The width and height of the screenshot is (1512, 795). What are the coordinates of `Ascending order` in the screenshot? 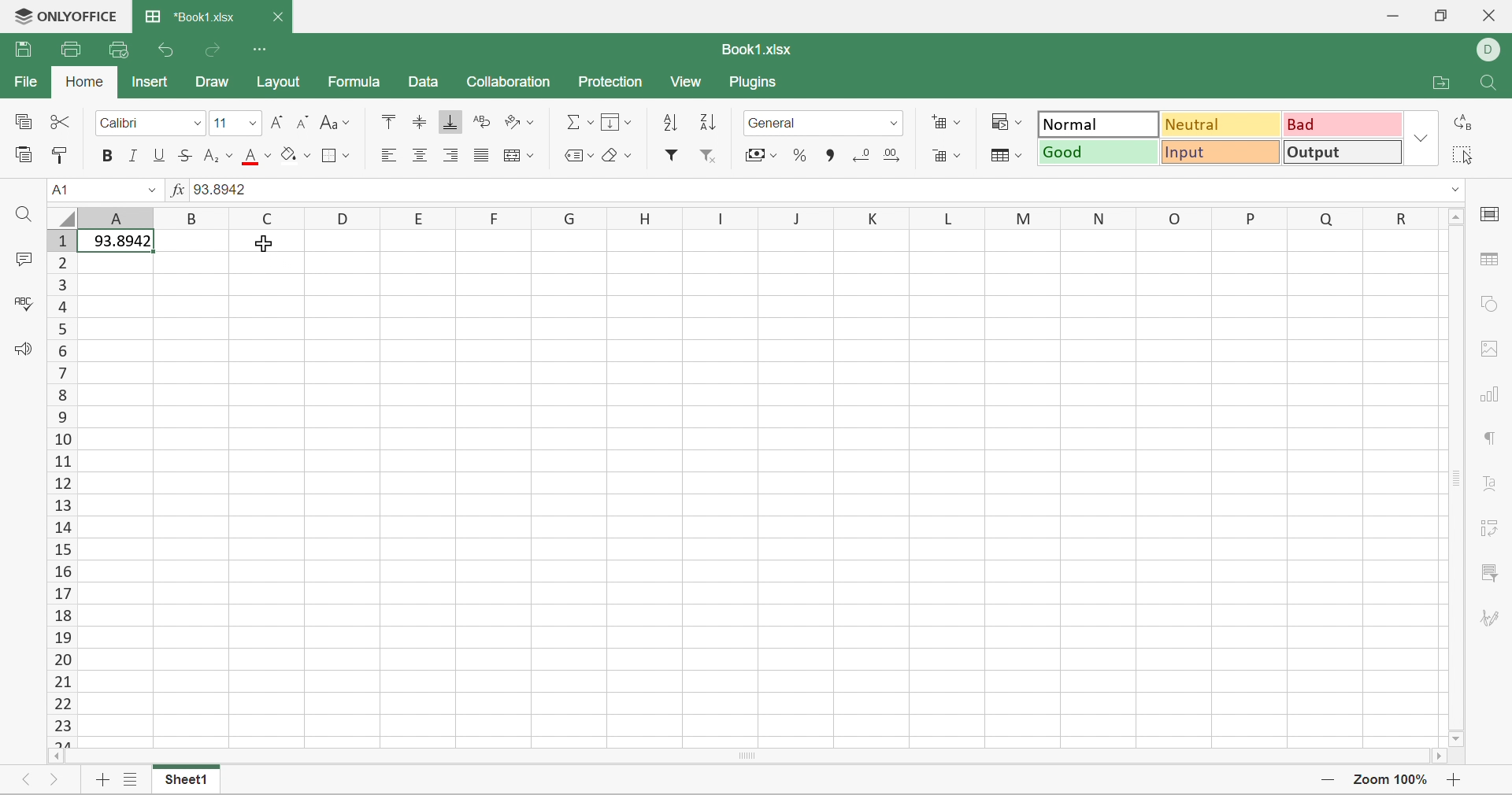 It's located at (671, 120).